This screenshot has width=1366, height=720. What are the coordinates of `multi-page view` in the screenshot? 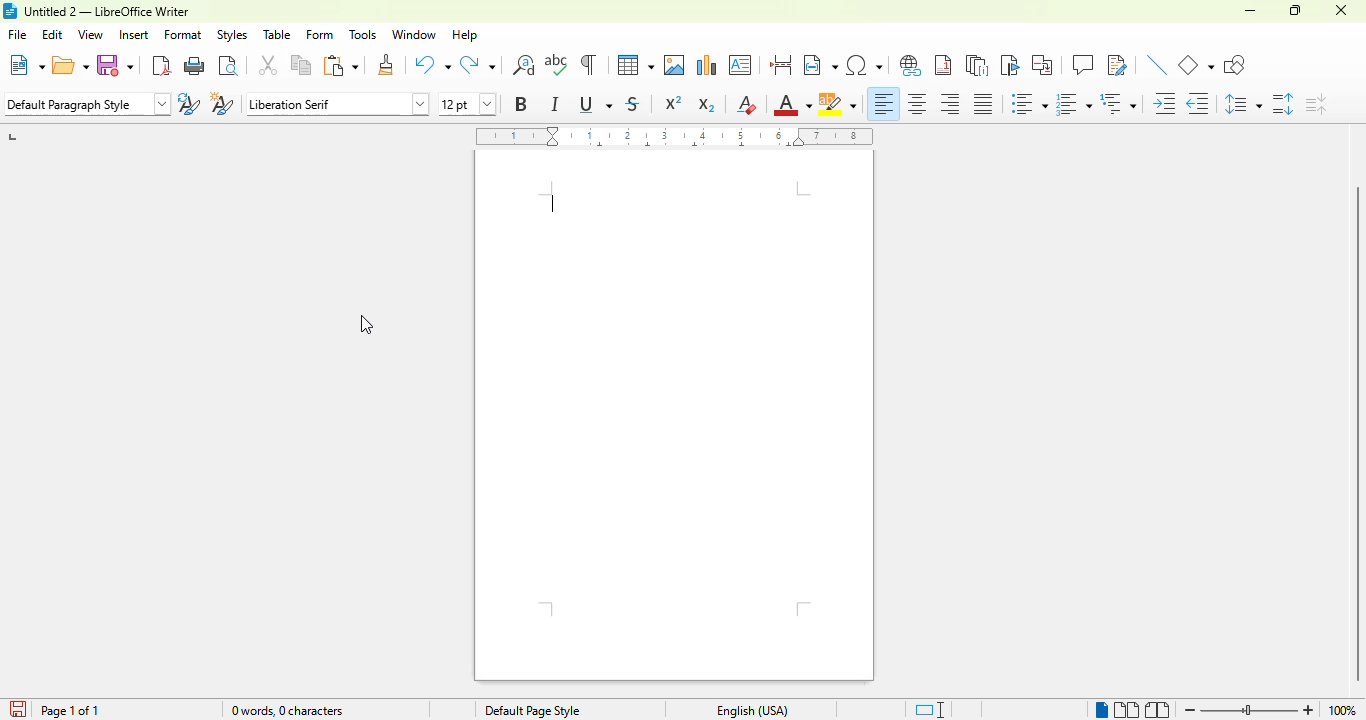 It's located at (1126, 710).